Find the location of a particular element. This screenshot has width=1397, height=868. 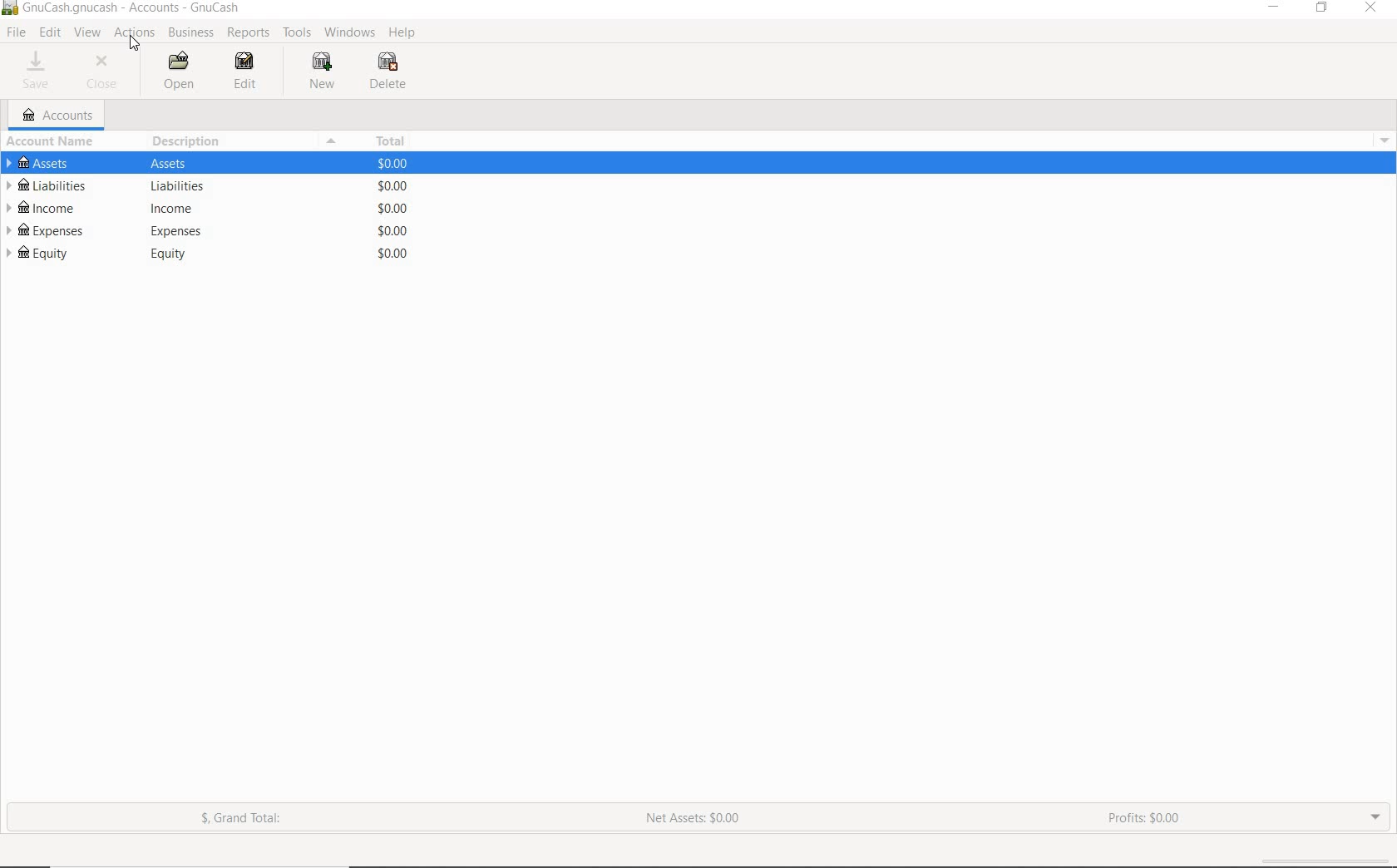

EXPENSES is located at coordinates (210, 230).